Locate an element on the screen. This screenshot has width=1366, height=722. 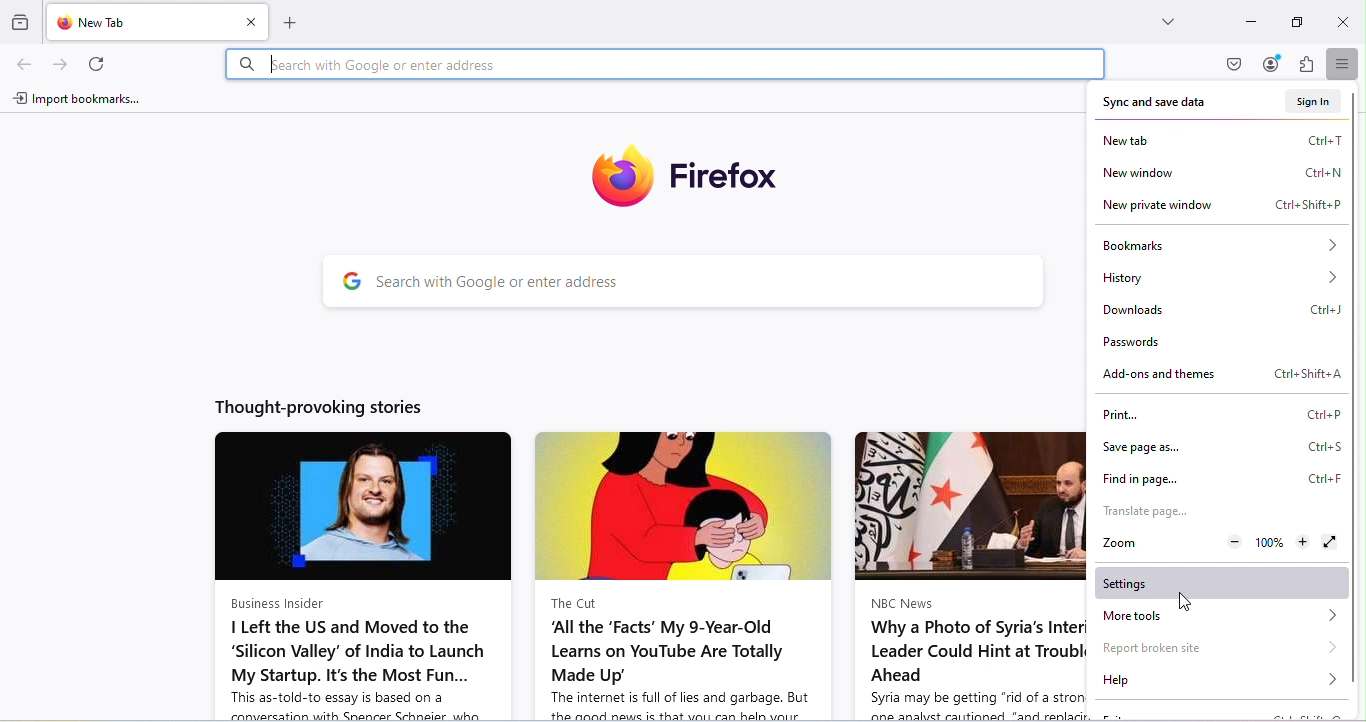
Search bar is located at coordinates (708, 284).